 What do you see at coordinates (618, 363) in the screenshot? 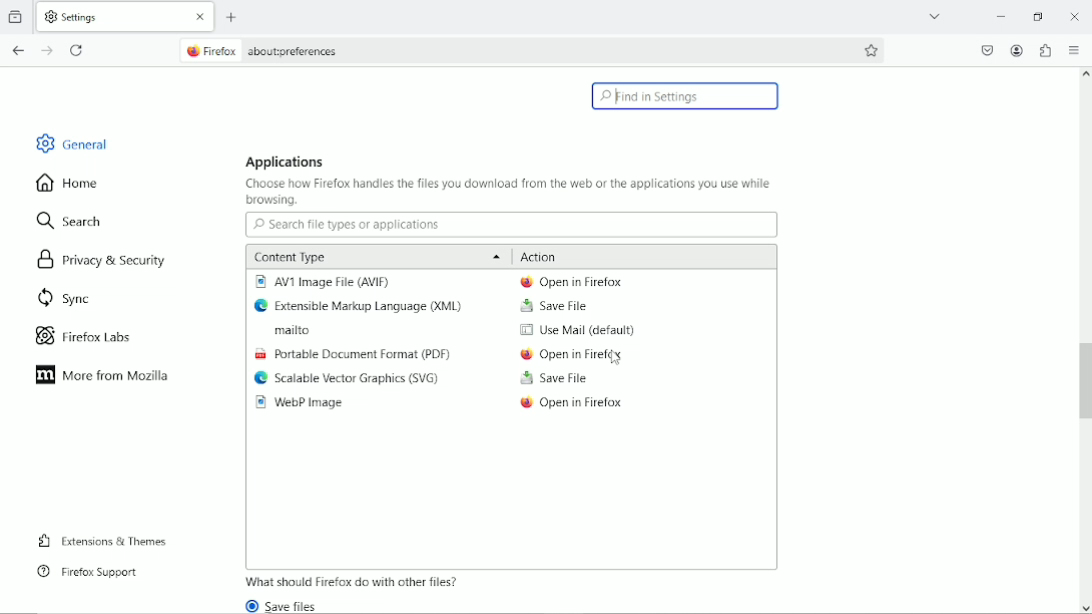
I see `Cursor` at bounding box center [618, 363].